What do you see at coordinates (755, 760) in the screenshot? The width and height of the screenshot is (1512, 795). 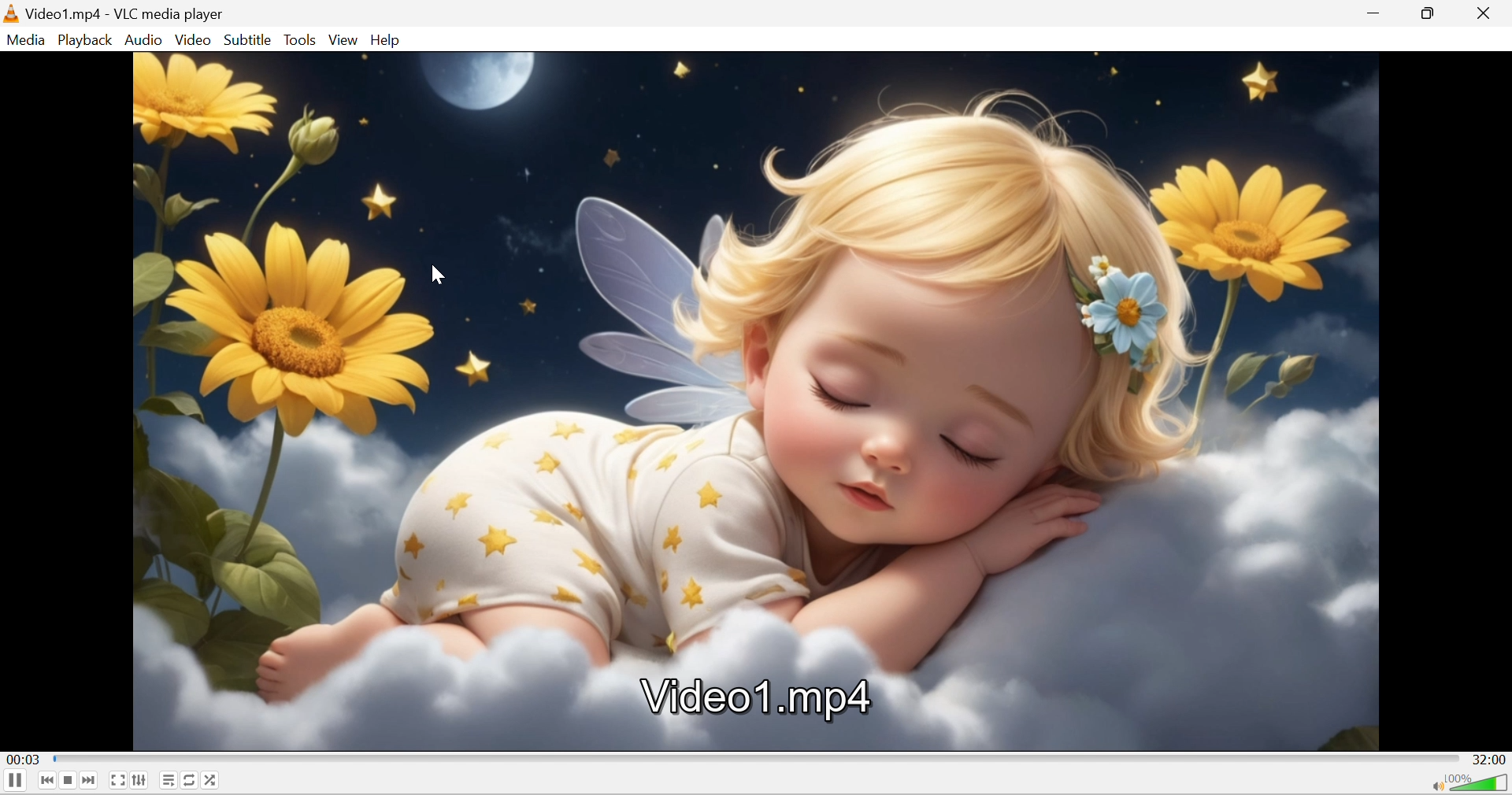 I see `Progress bar` at bounding box center [755, 760].